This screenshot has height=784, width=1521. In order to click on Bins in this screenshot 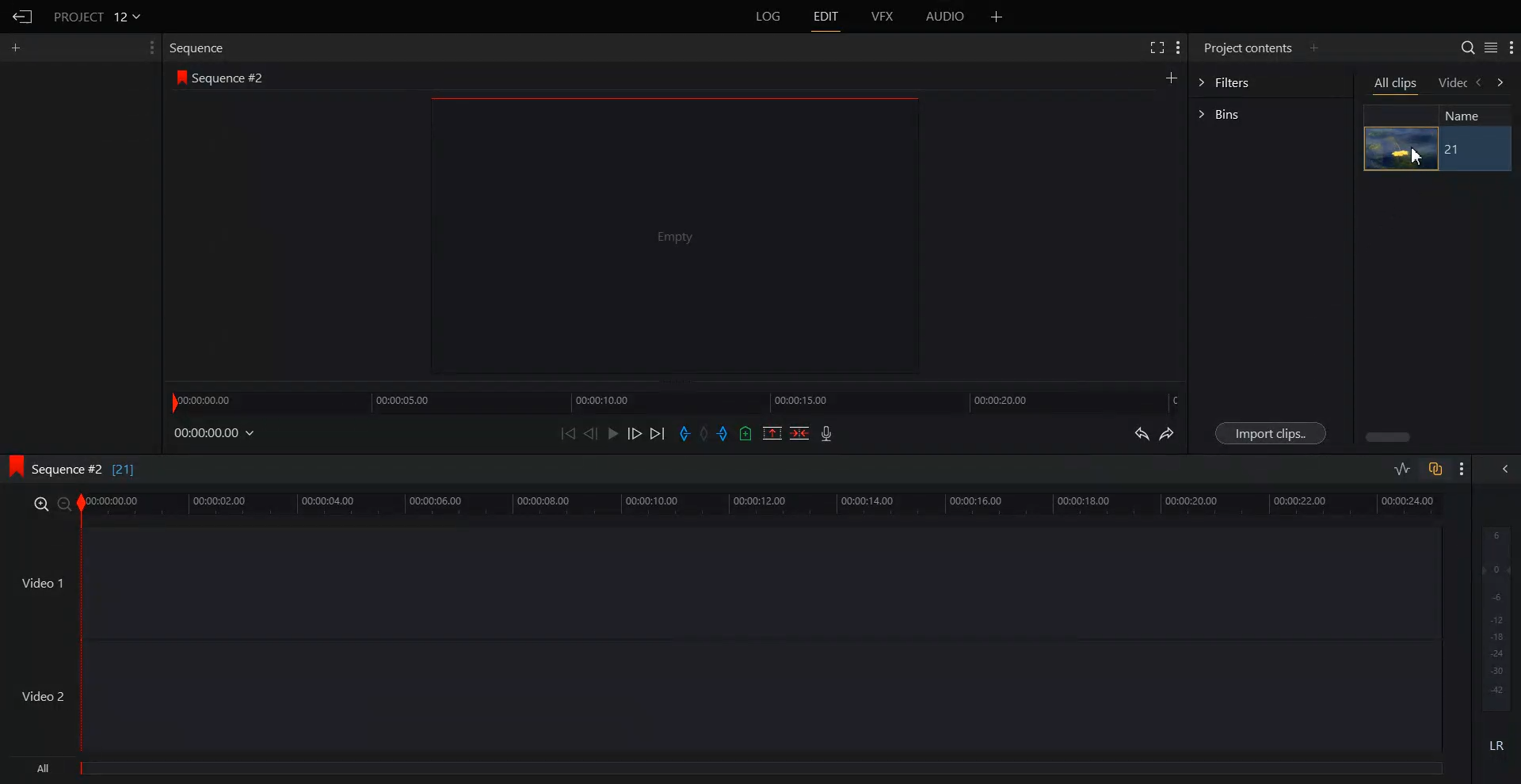, I will do `click(1270, 114)`.